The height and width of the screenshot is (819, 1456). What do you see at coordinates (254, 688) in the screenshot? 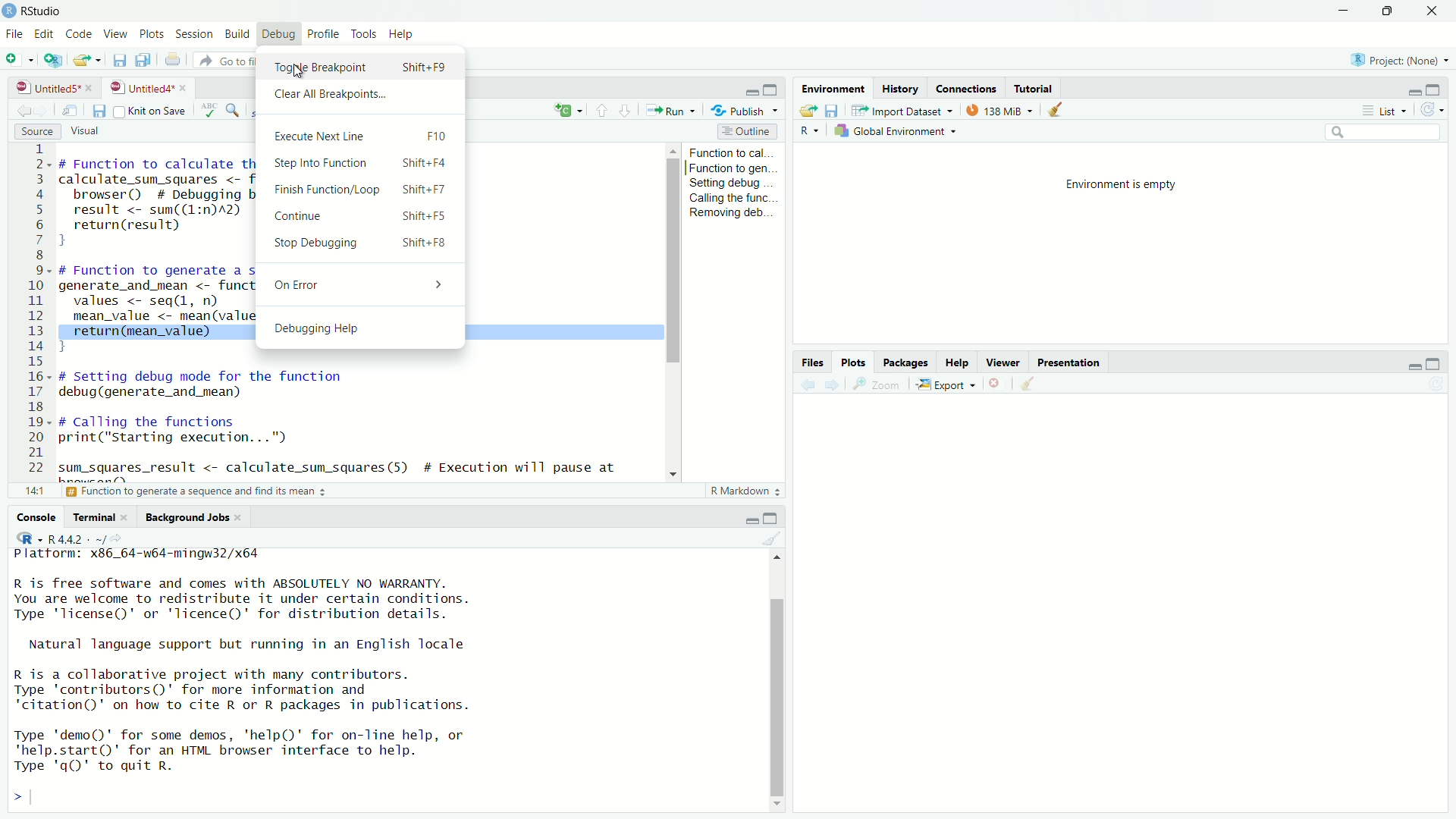
I see `R is a collaborative project with many contributors.
Type 'contributors()' for more information and
"citation()' on how to cite R or R packages in publications.` at bounding box center [254, 688].